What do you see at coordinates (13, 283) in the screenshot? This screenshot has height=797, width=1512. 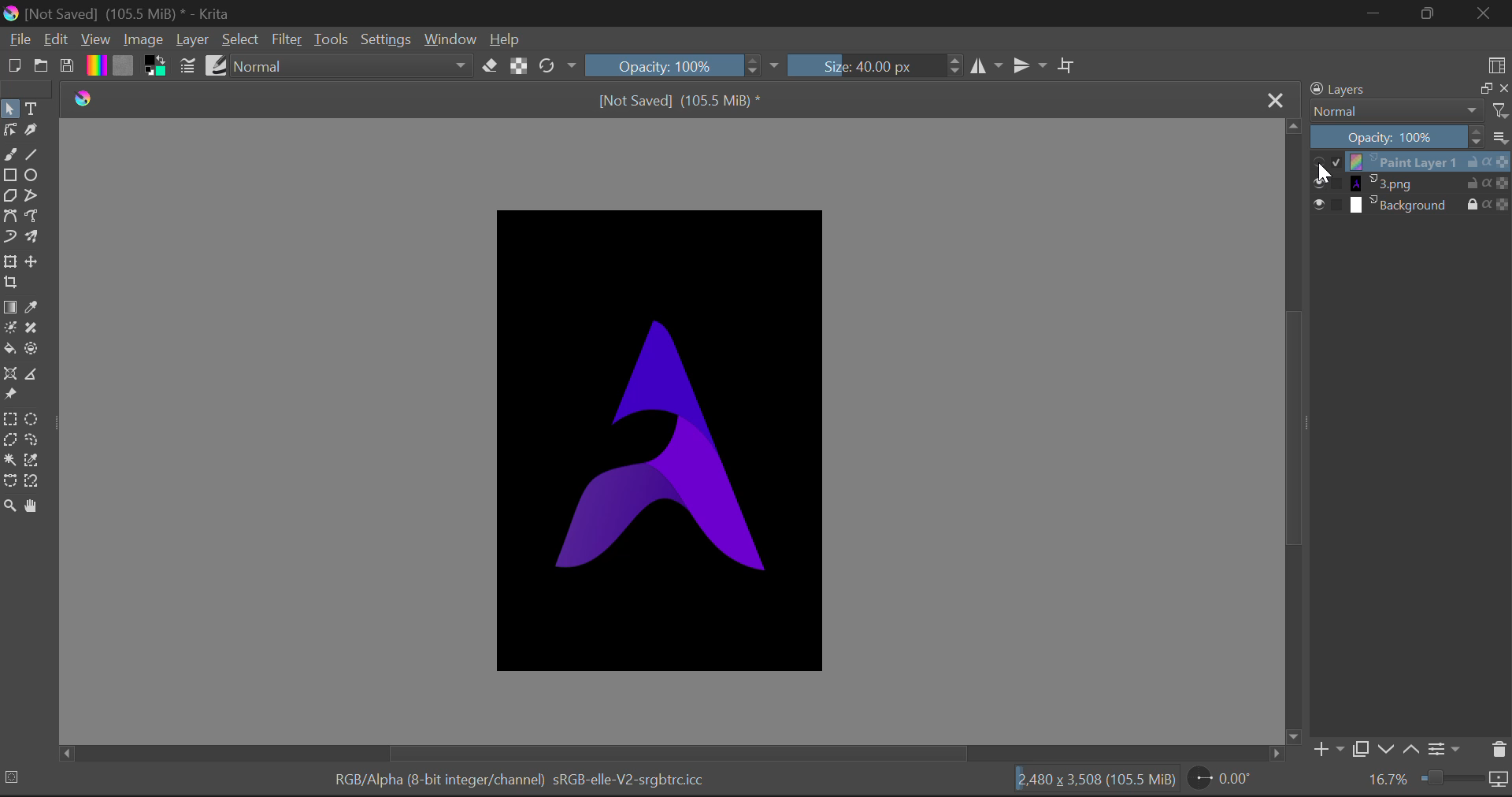 I see `Crop` at bounding box center [13, 283].